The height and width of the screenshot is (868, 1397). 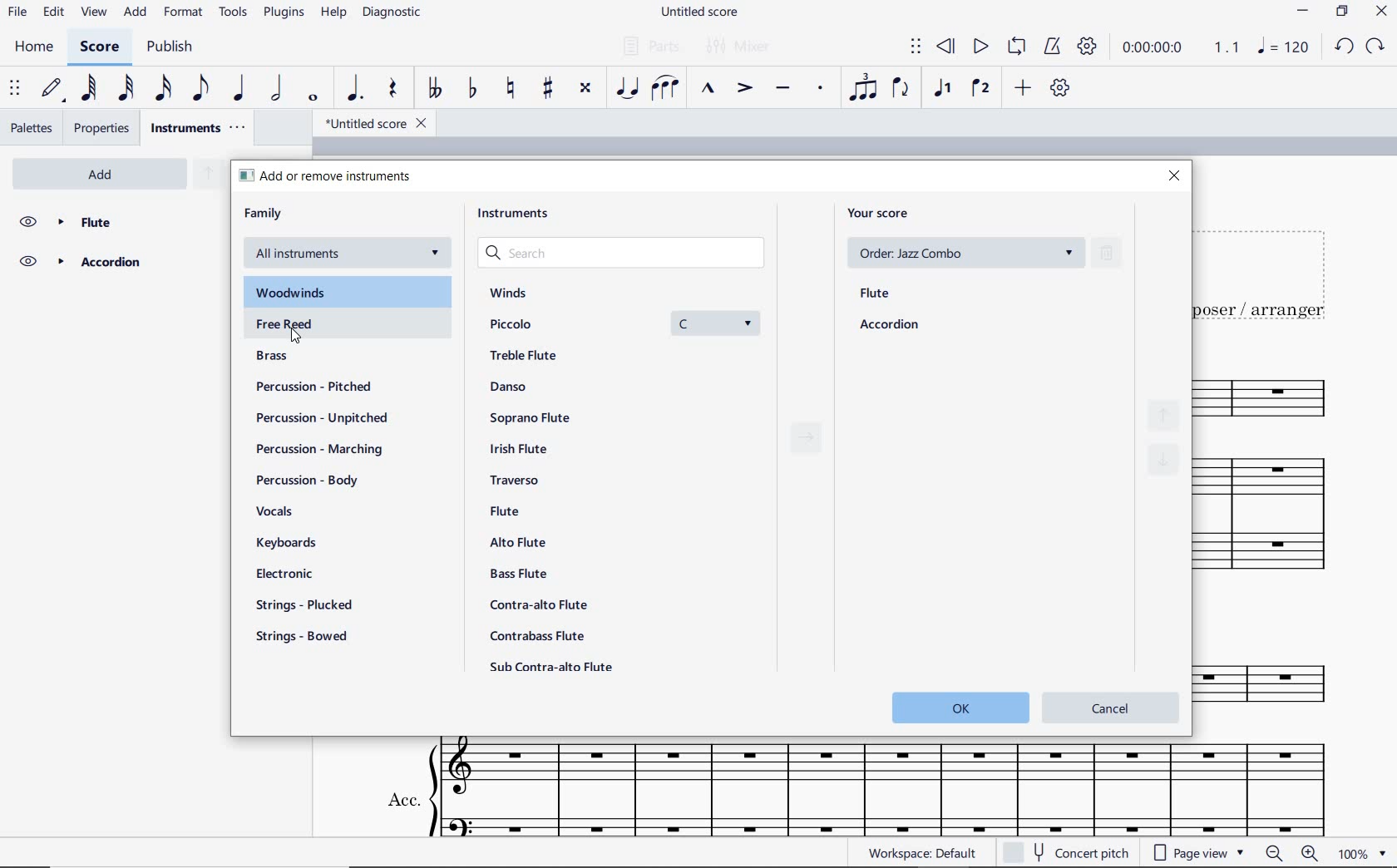 I want to click on play, so click(x=980, y=49).